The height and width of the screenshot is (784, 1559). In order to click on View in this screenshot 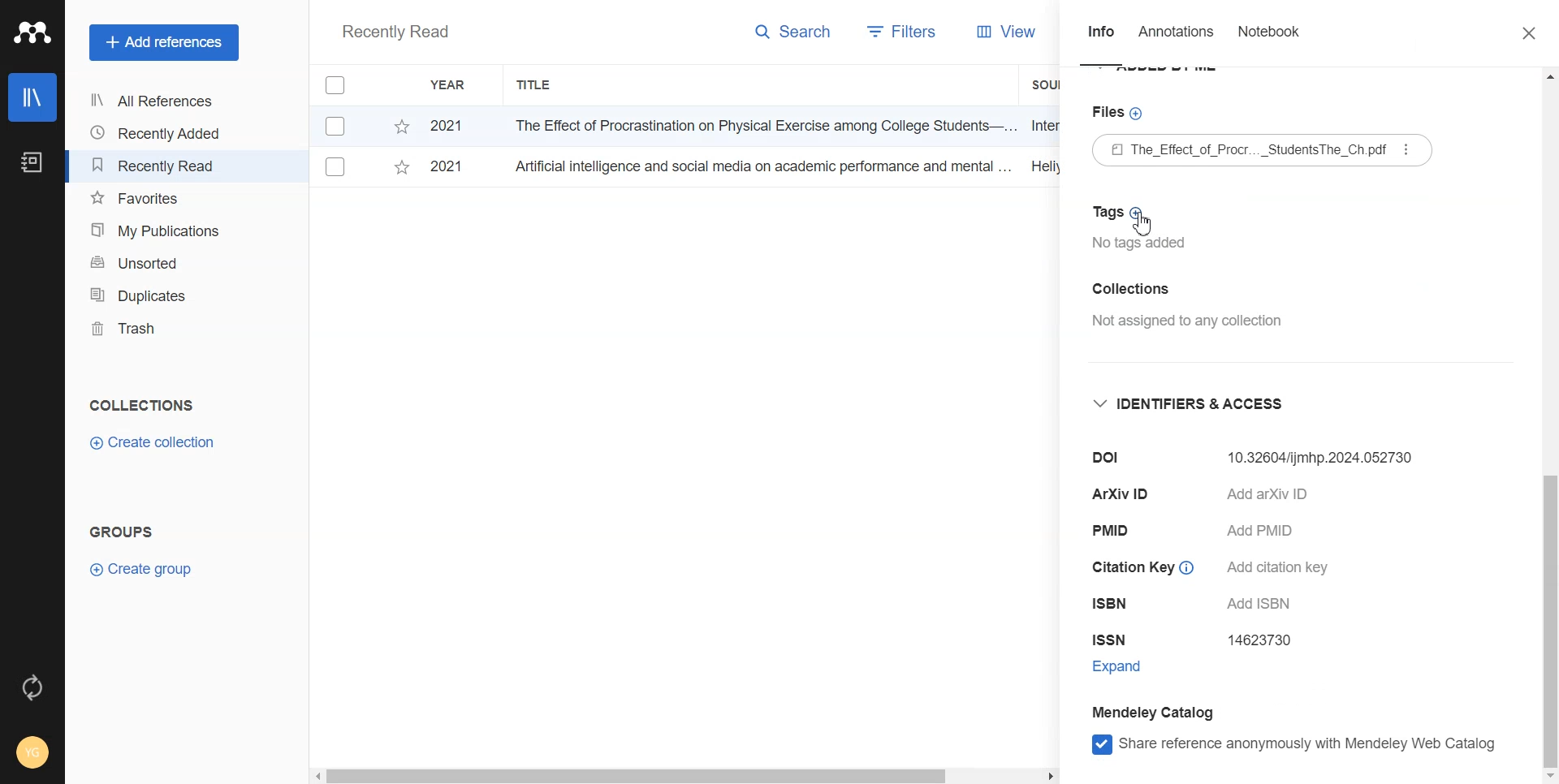, I will do `click(1007, 32)`.